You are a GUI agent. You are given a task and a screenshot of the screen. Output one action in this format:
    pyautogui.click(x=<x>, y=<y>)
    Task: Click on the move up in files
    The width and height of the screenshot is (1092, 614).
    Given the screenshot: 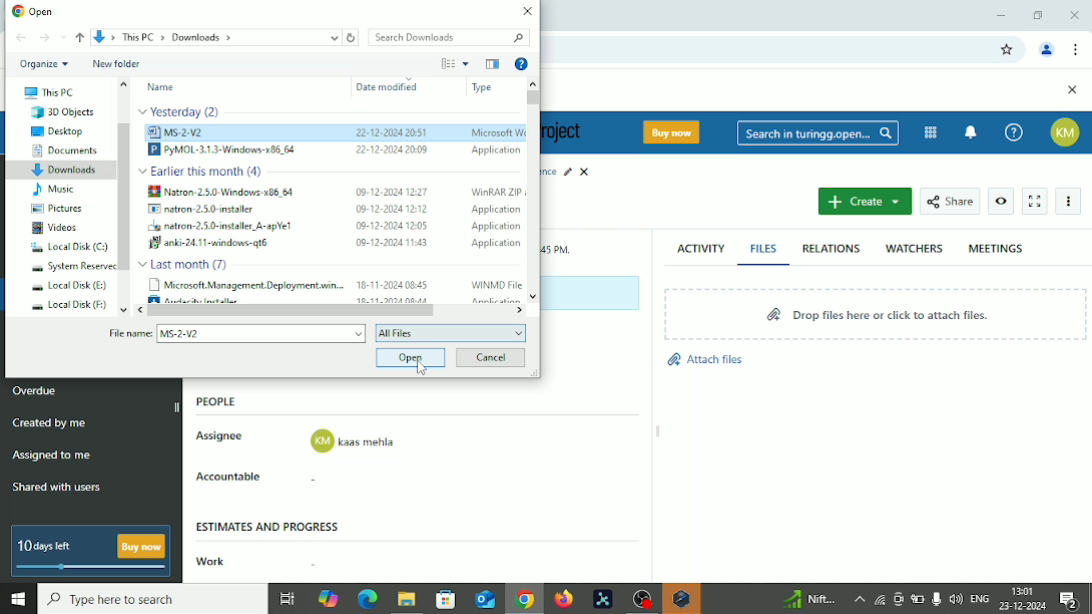 What is the action you would take?
    pyautogui.click(x=532, y=84)
    